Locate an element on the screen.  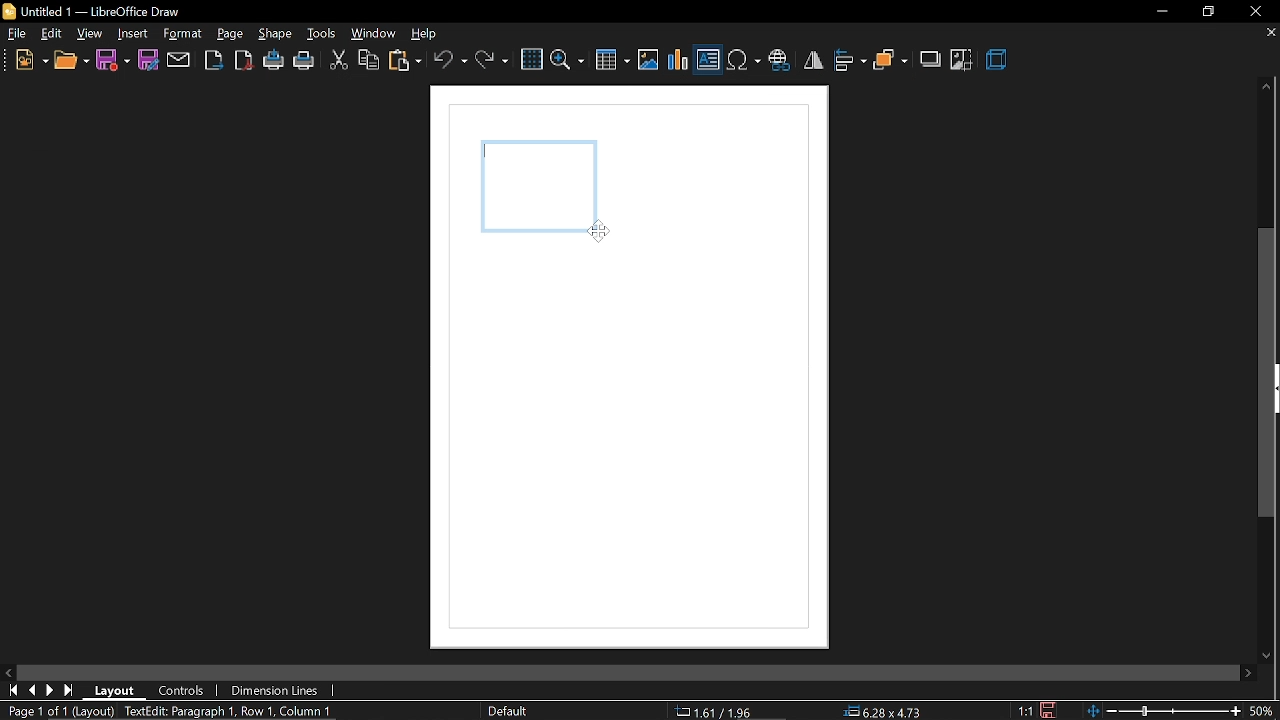
co-ordinate is located at coordinates (721, 711).